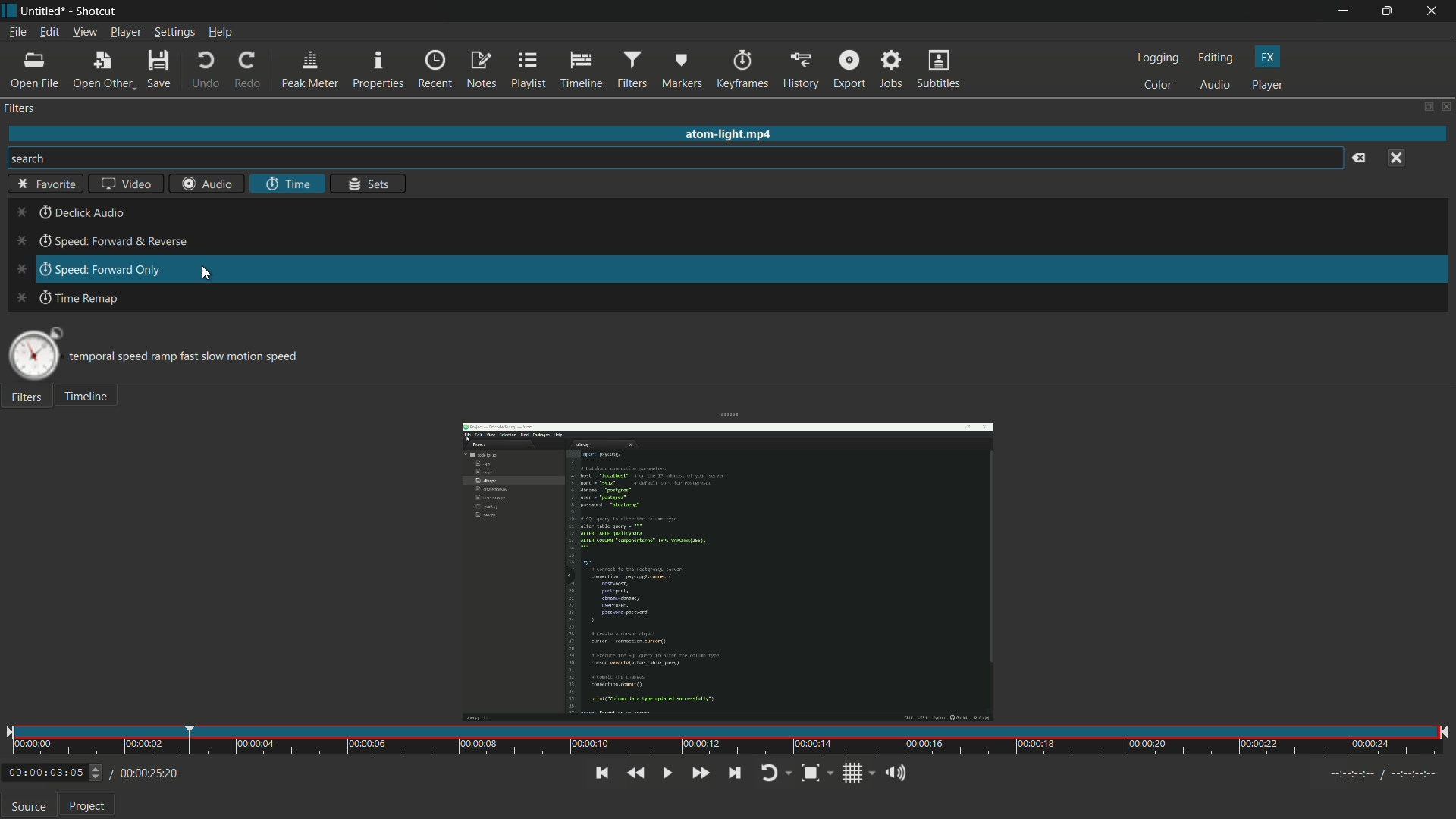 This screenshot has height=819, width=1456. Describe the element at coordinates (17, 32) in the screenshot. I see `file menu` at that location.